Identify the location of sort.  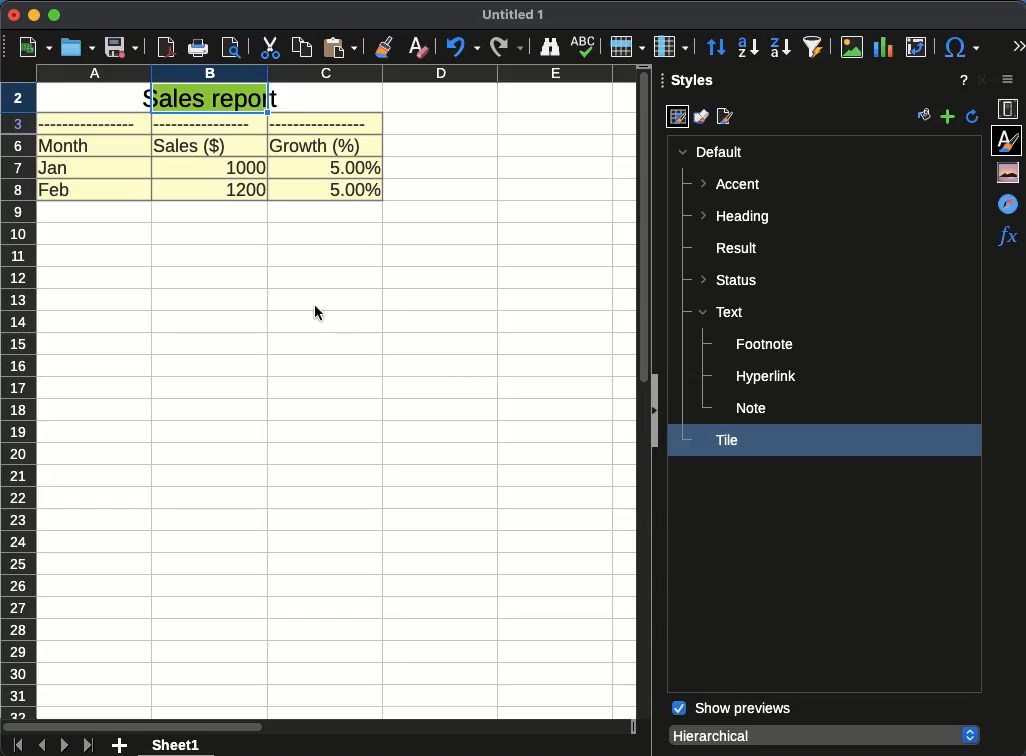
(717, 48).